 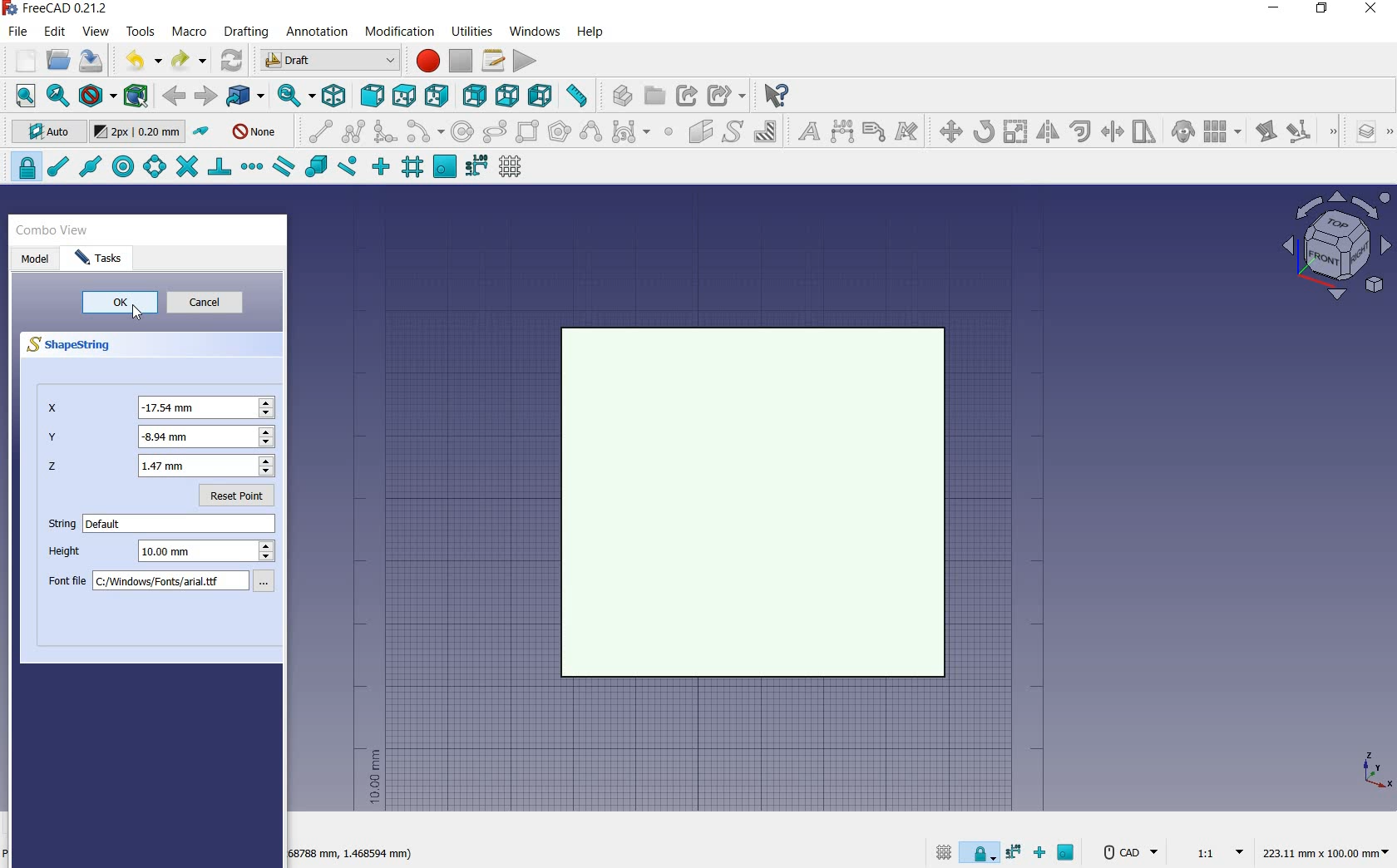 What do you see at coordinates (181, 524) in the screenshot?
I see `Text` at bounding box center [181, 524].